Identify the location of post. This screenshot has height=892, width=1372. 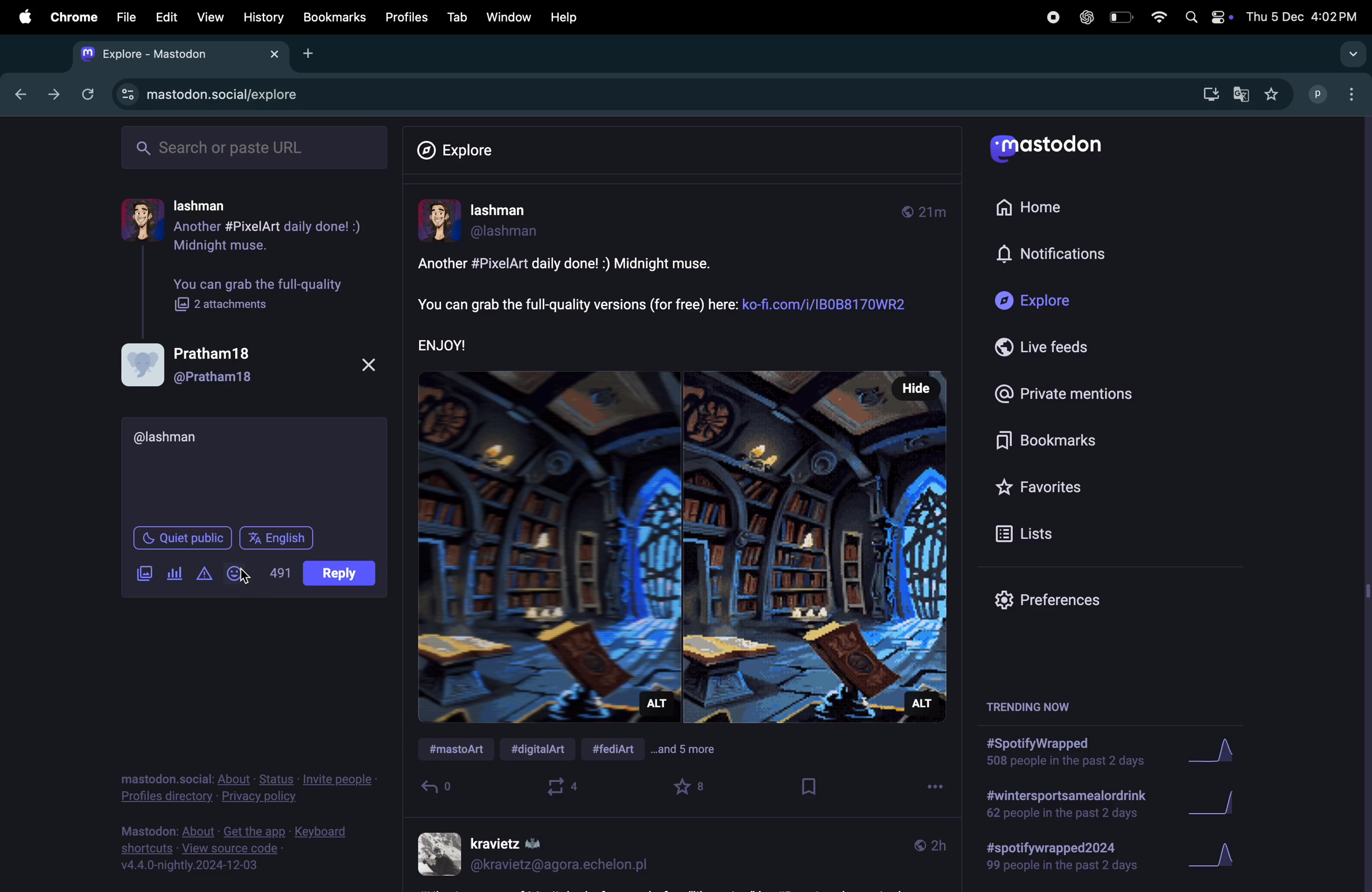
(340, 573).